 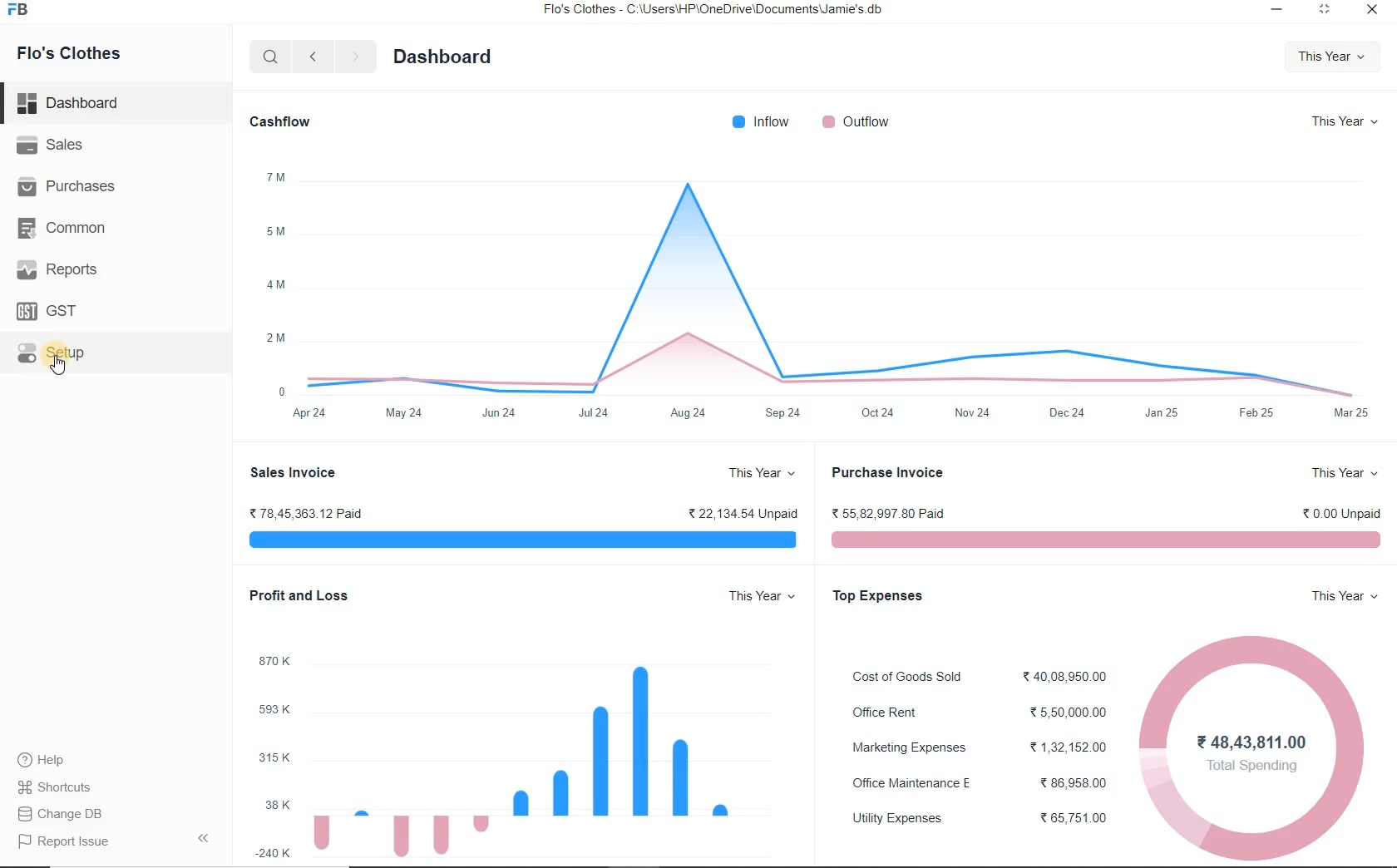 What do you see at coordinates (980, 748) in the screenshot?
I see `Cost of Goods Sold < 40,08,950.00
Office Rent %5,50,000.00
Marketing Expenses %1,32,152.00
Office Maintenance E % 86,958.00
Utility Expenses 65,751.00` at bounding box center [980, 748].